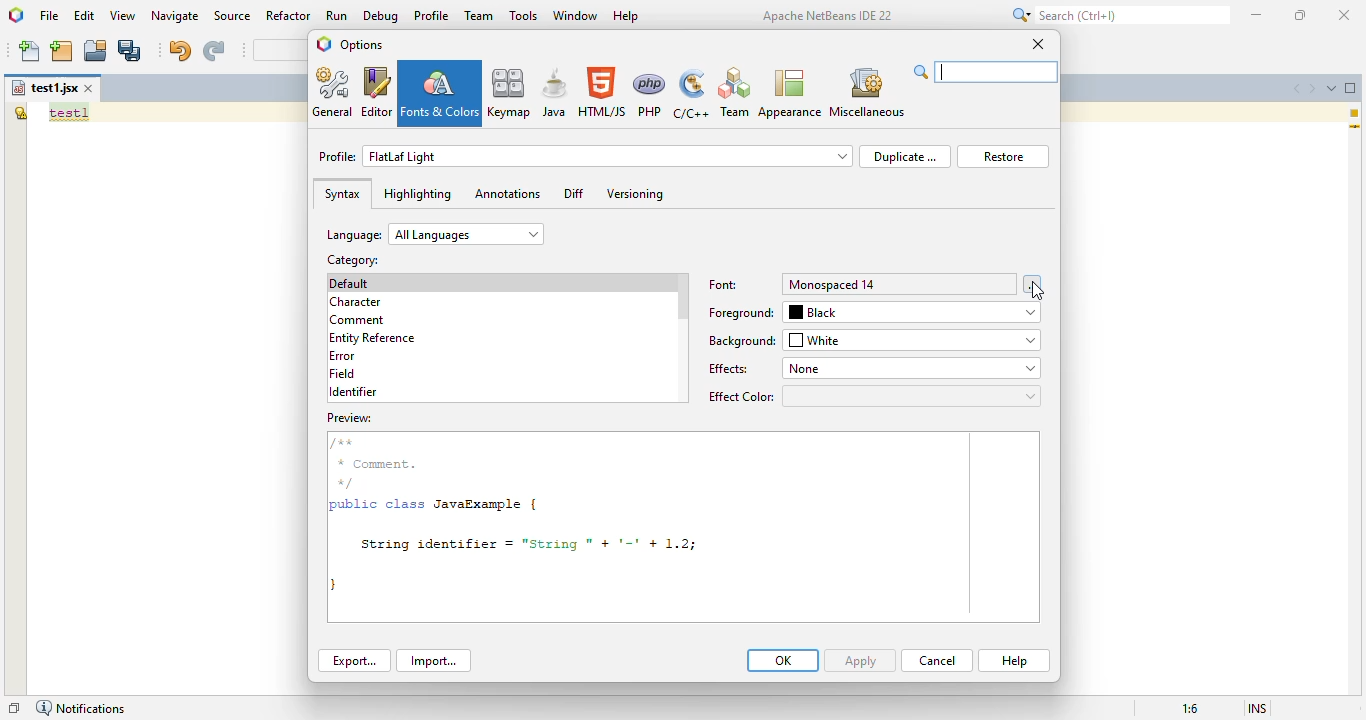 Image resolution: width=1366 pixels, height=720 pixels. What do you see at coordinates (123, 16) in the screenshot?
I see `view` at bounding box center [123, 16].